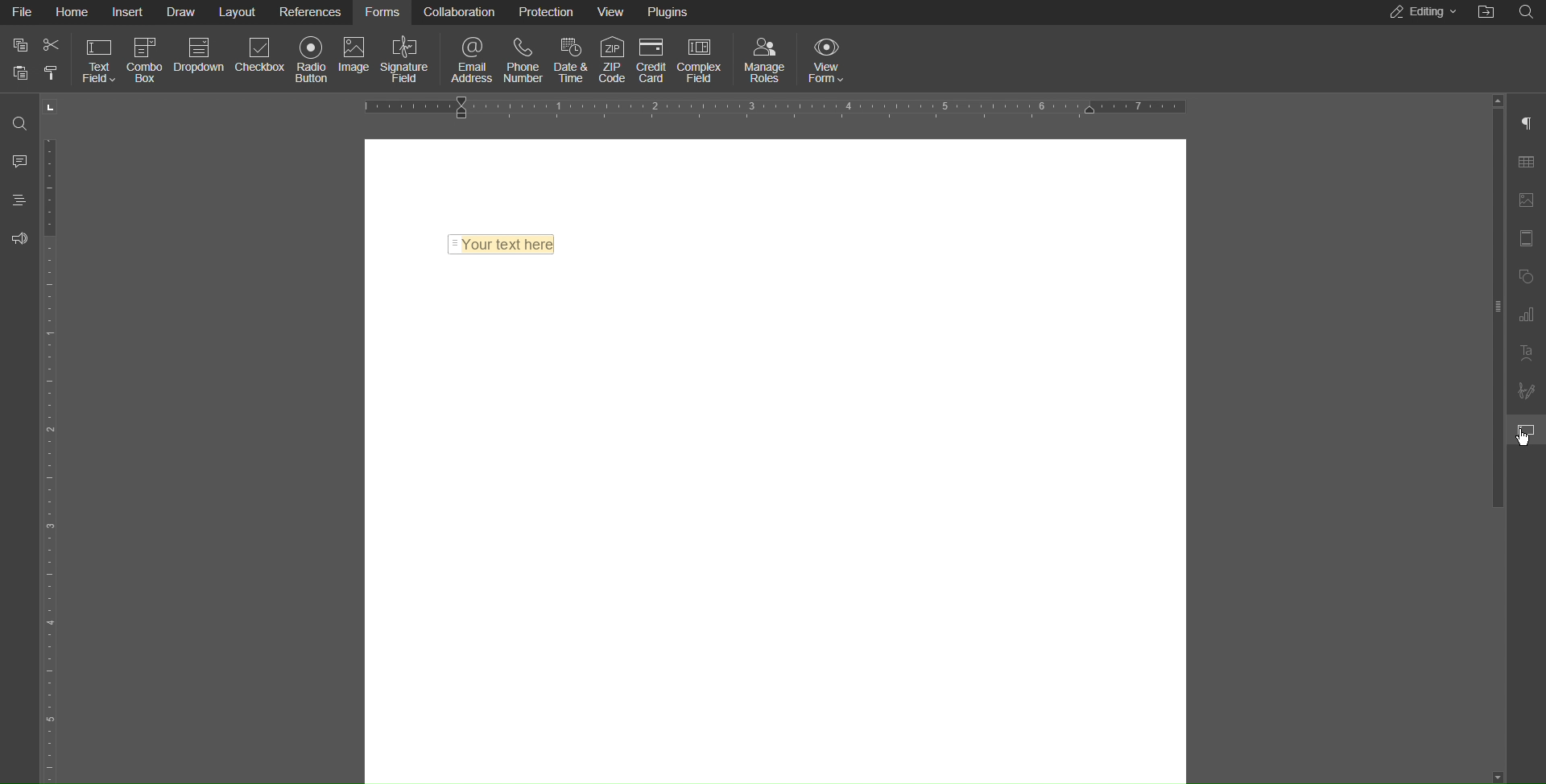 The height and width of the screenshot is (784, 1546). What do you see at coordinates (617, 10) in the screenshot?
I see `View` at bounding box center [617, 10].